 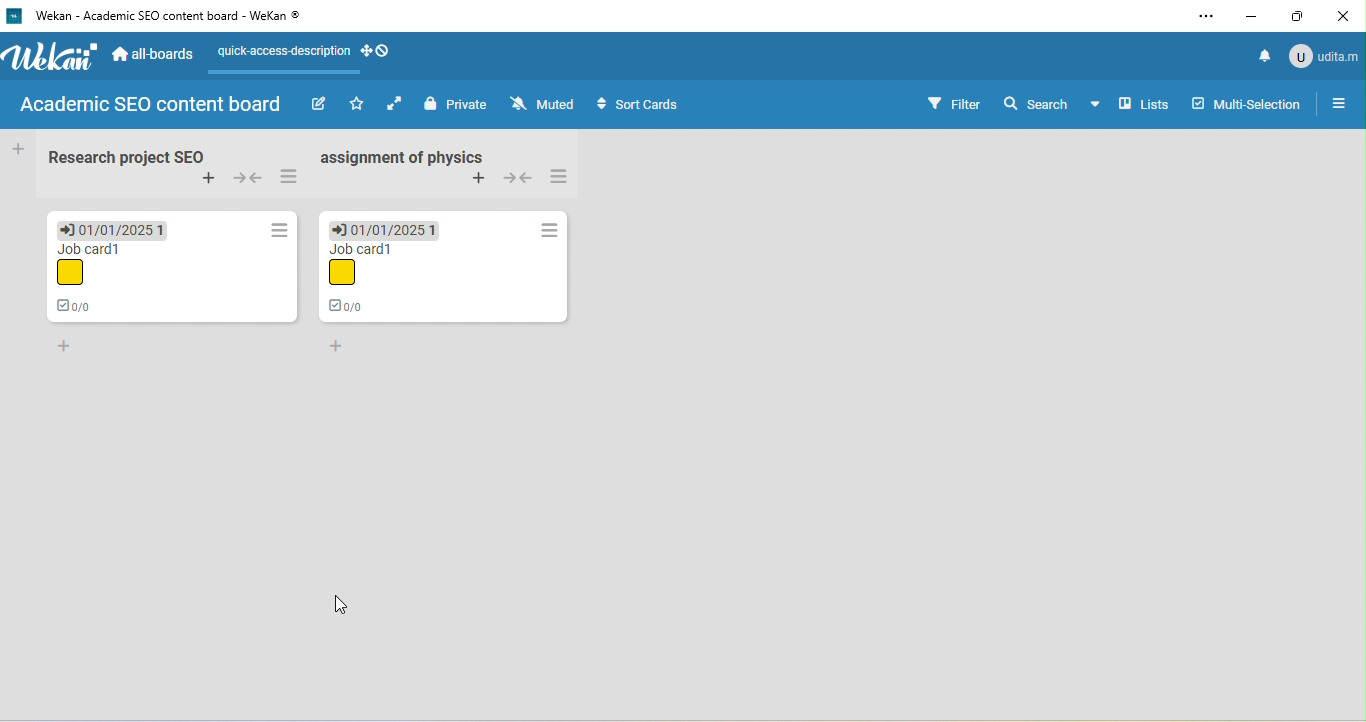 I want to click on job card 1, so click(x=361, y=264).